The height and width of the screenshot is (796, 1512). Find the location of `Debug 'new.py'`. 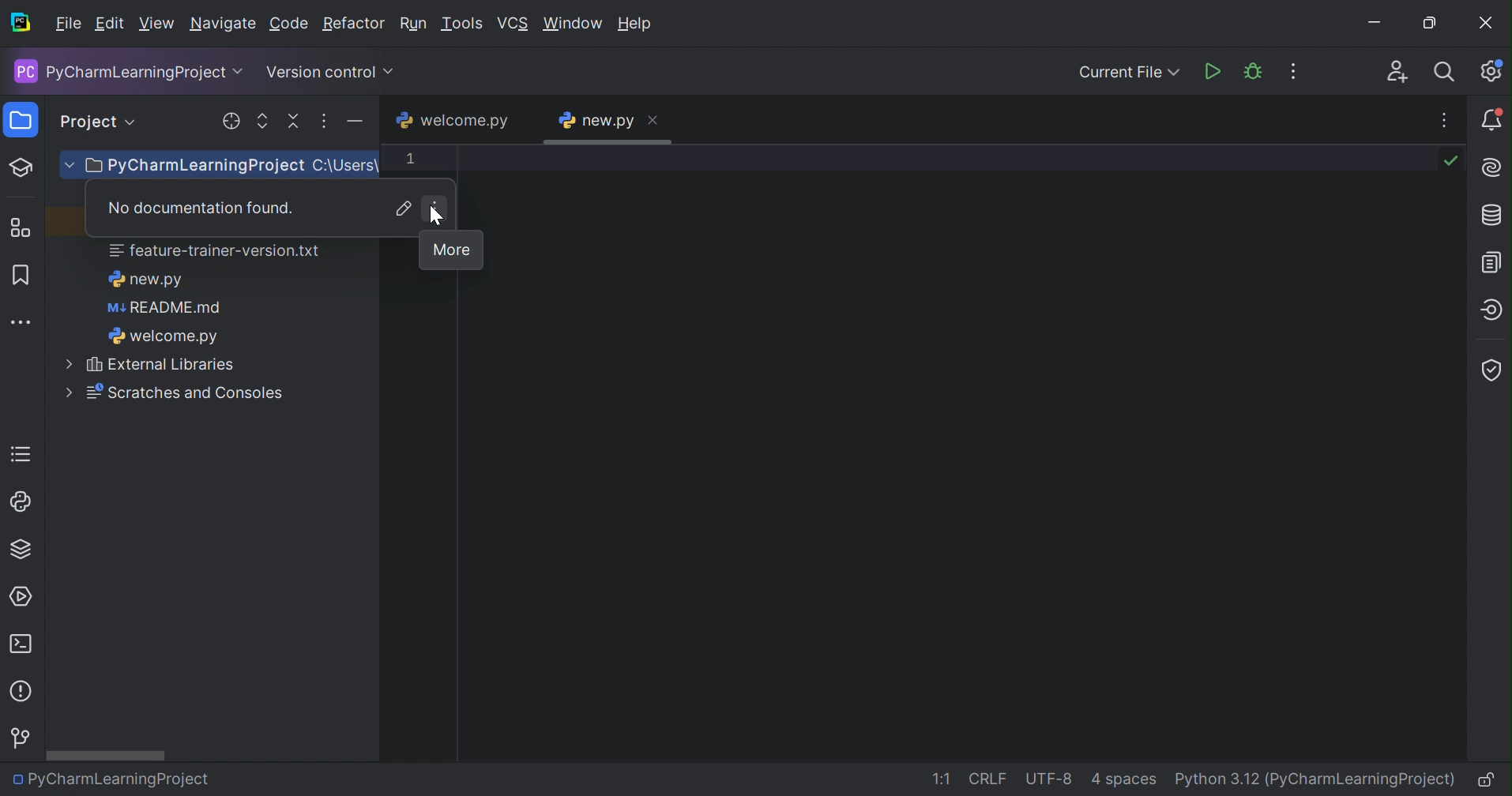

Debug 'new.py' is located at coordinates (1254, 71).